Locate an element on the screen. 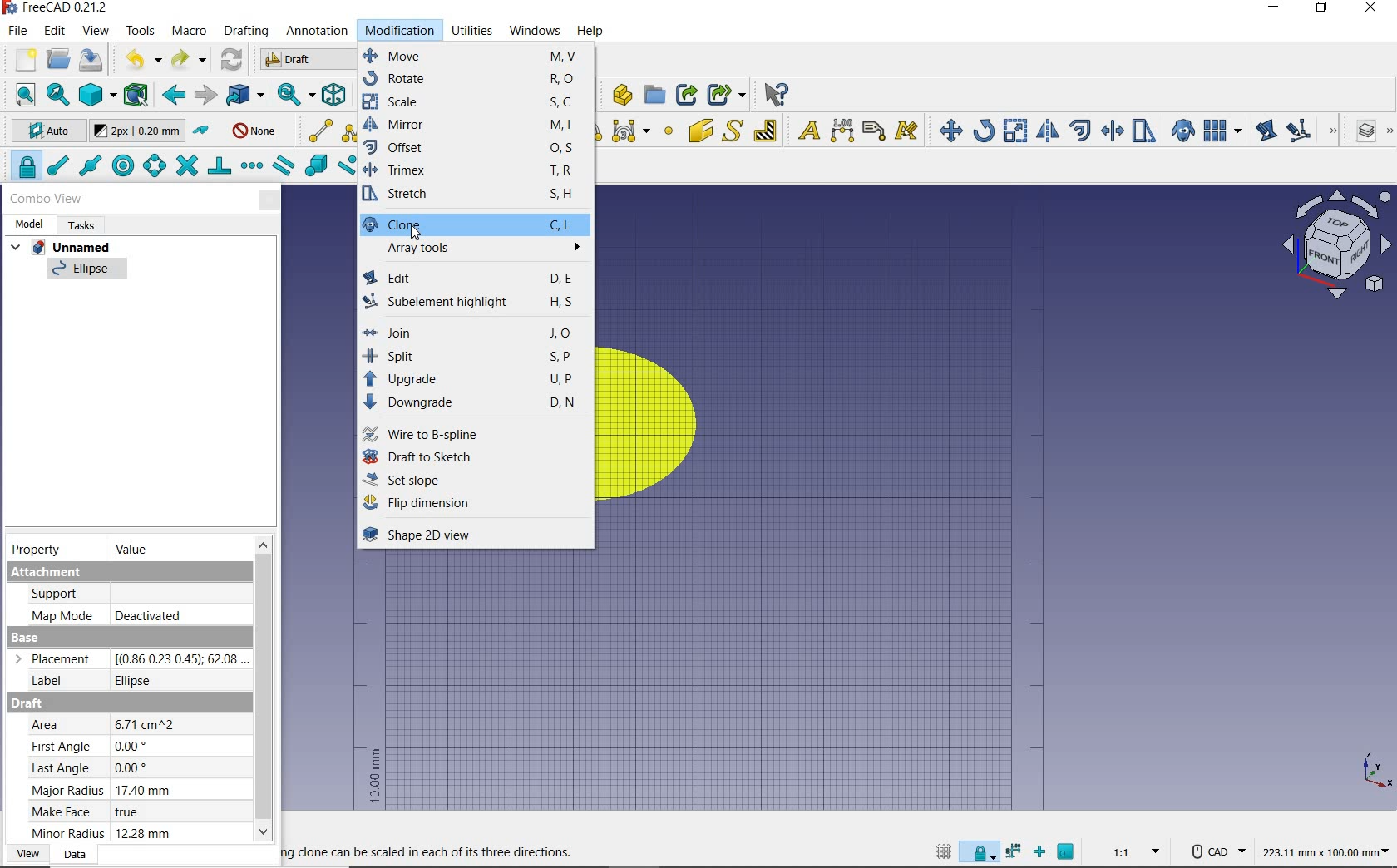 This screenshot has width=1397, height=868. move is located at coordinates (474, 56).